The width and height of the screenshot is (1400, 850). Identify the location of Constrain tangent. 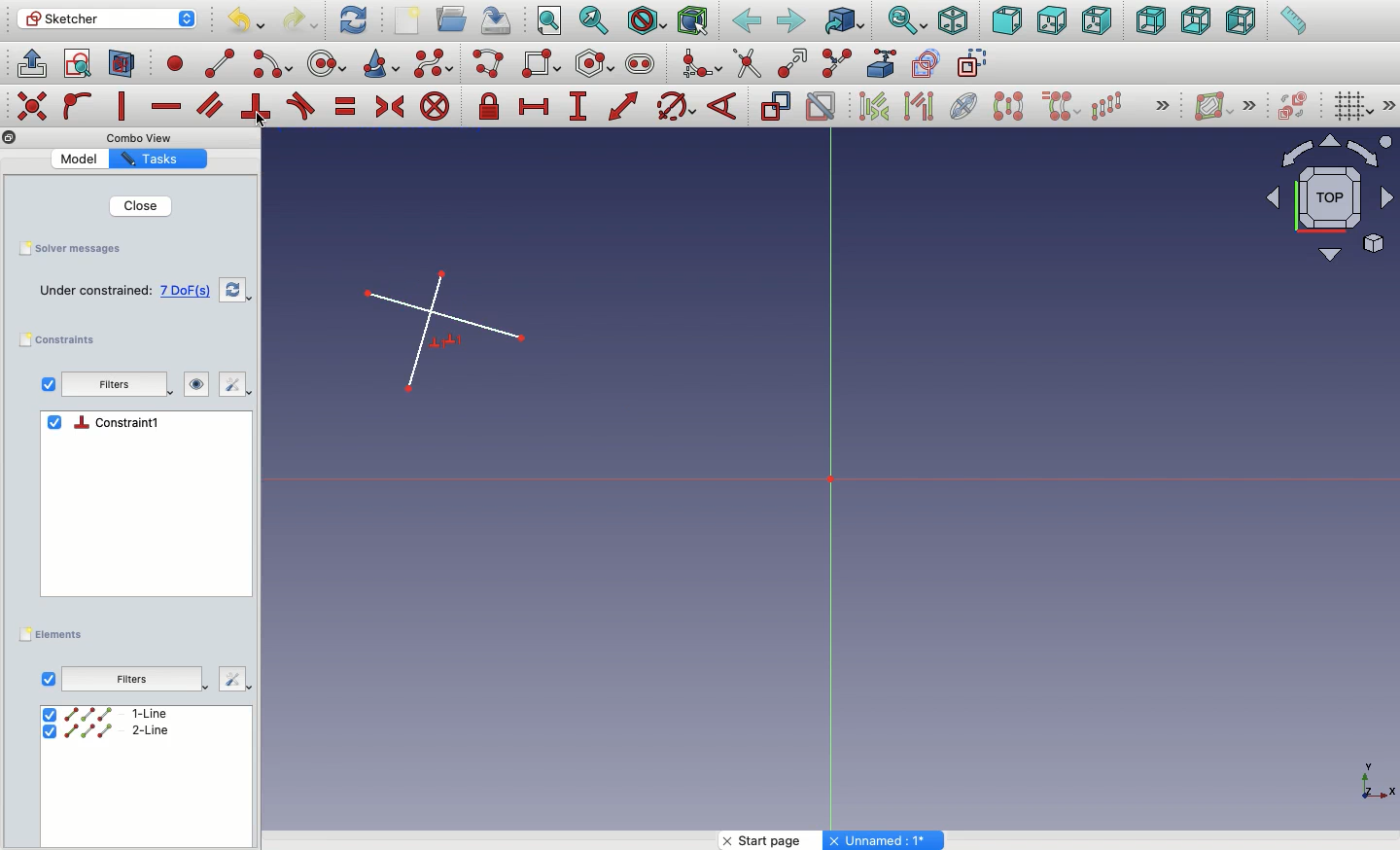
(301, 106).